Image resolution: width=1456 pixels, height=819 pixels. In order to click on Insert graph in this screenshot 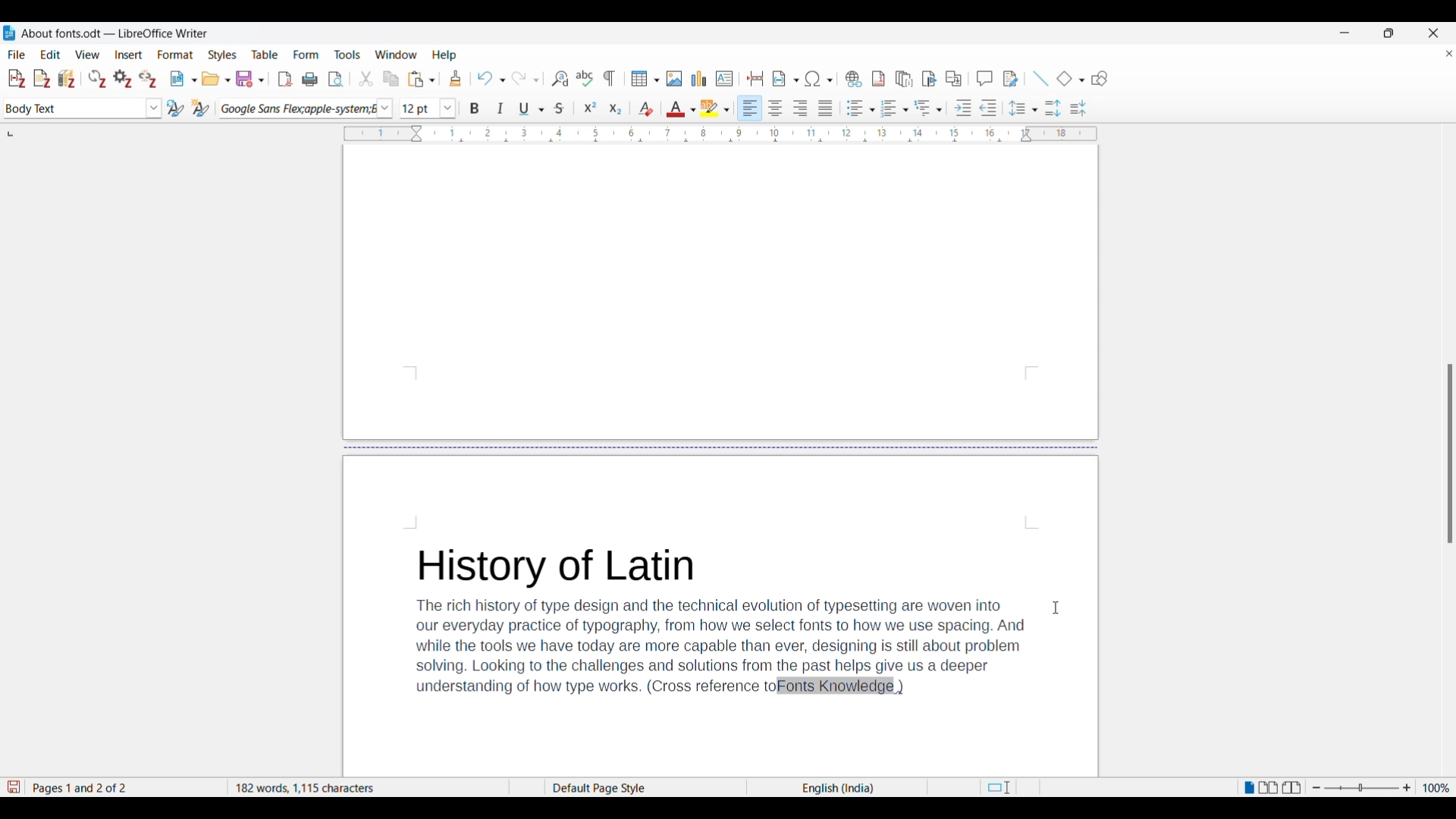, I will do `click(700, 78)`.